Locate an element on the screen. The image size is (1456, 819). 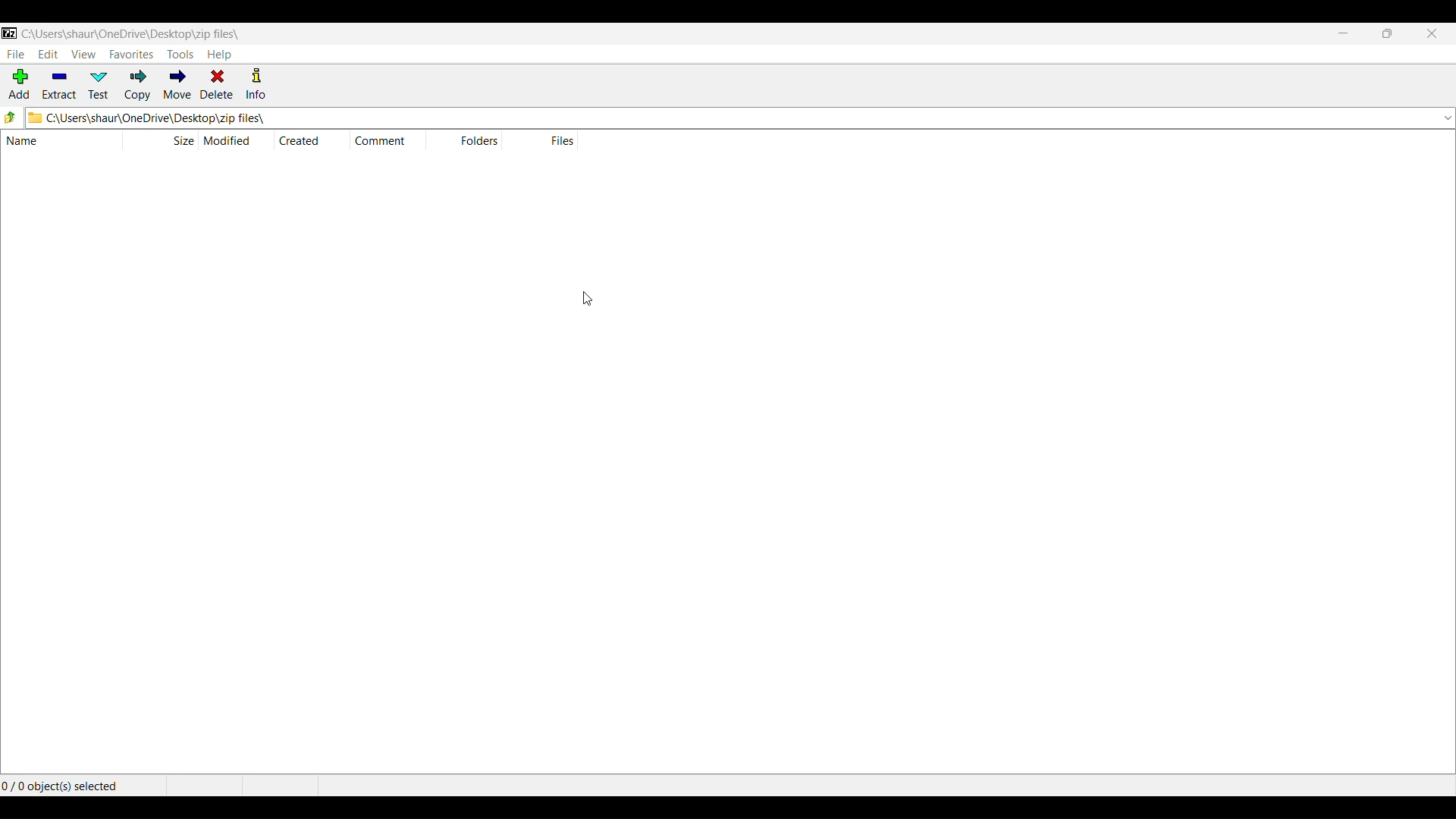
FILES is located at coordinates (561, 140).